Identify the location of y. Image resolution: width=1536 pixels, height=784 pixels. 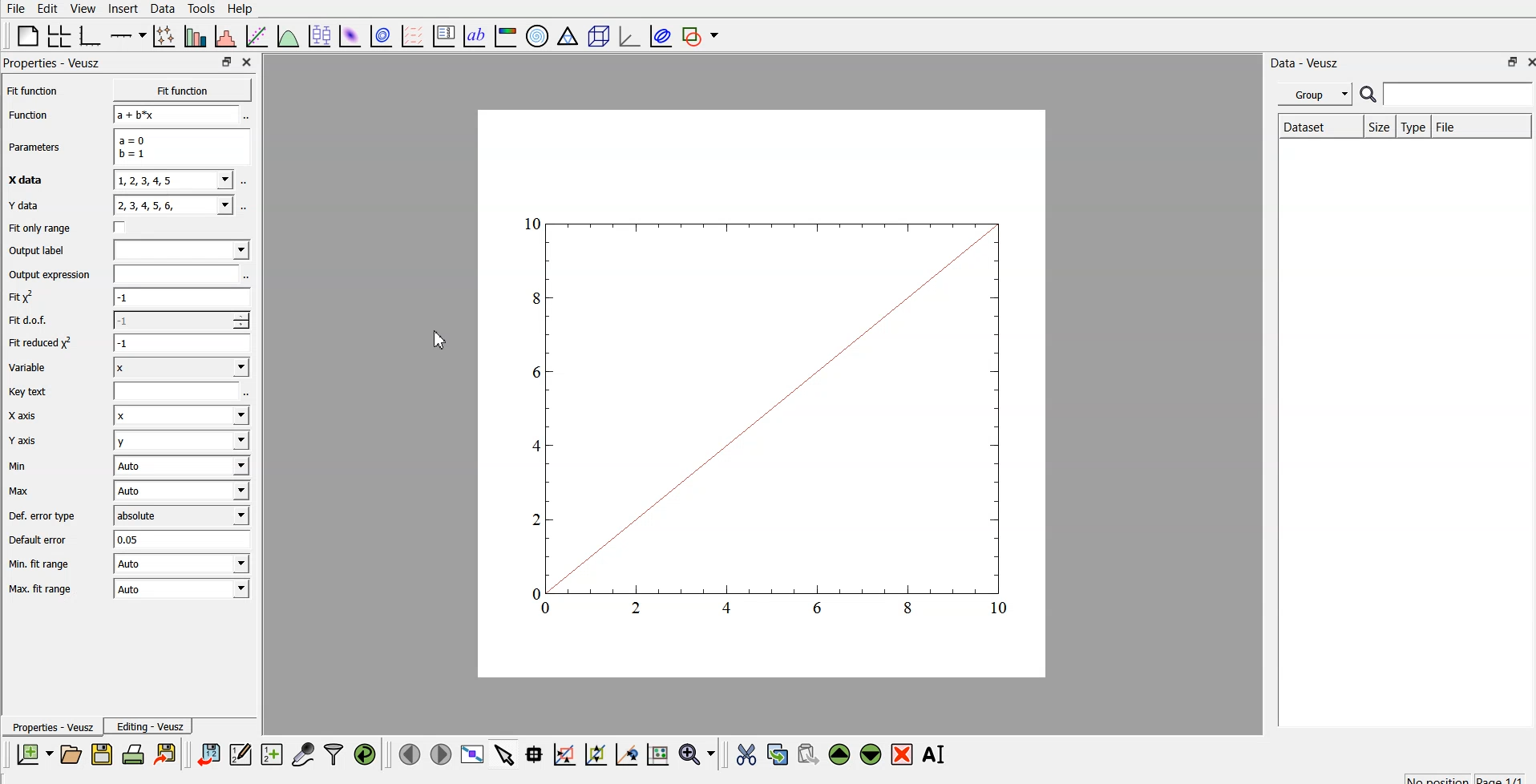
(176, 205).